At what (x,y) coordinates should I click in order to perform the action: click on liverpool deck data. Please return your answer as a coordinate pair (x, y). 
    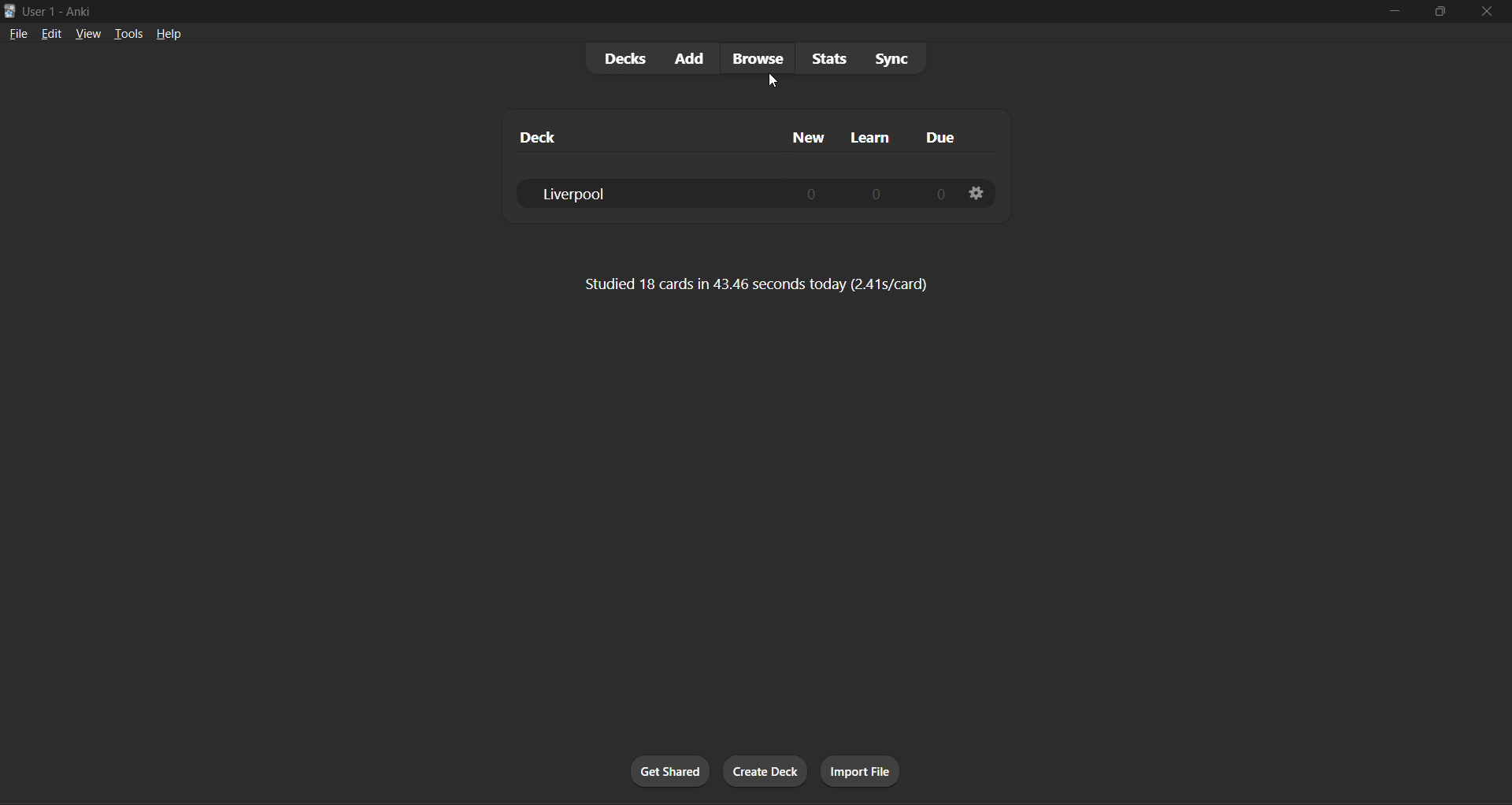
    Looking at the image, I should click on (652, 191).